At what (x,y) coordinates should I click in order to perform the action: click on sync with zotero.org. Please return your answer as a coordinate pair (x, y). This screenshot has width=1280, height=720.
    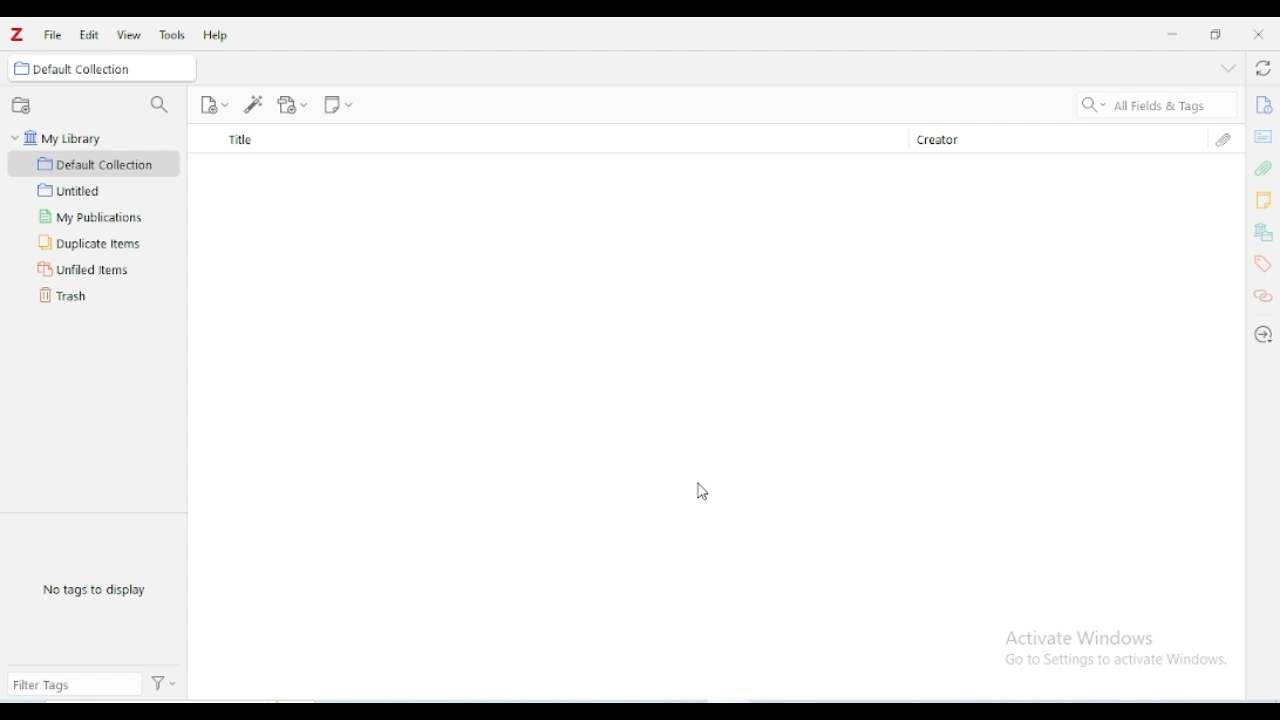
    Looking at the image, I should click on (1263, 69).